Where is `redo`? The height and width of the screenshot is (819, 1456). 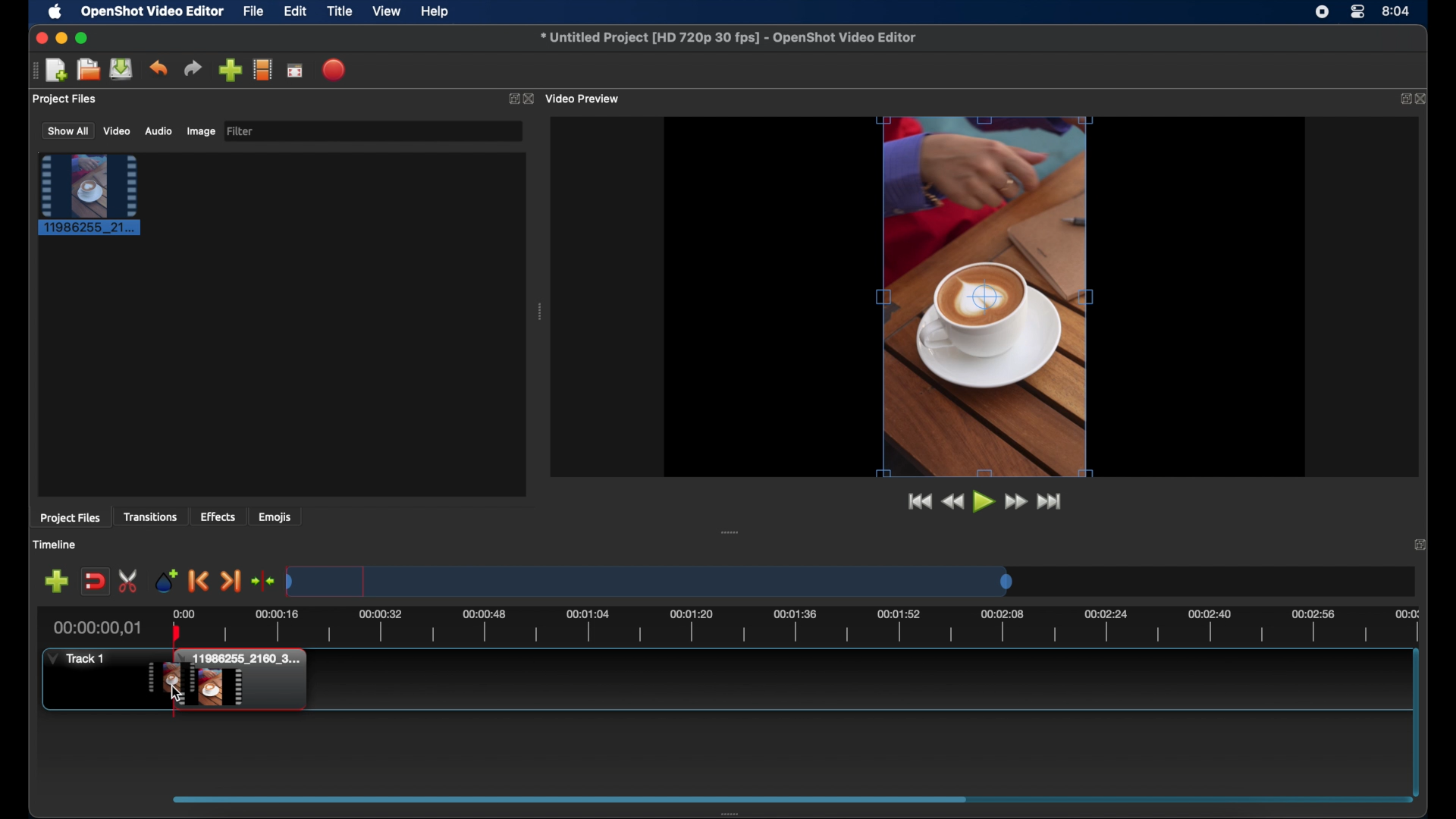 redo is located at coordinates (193, 67).